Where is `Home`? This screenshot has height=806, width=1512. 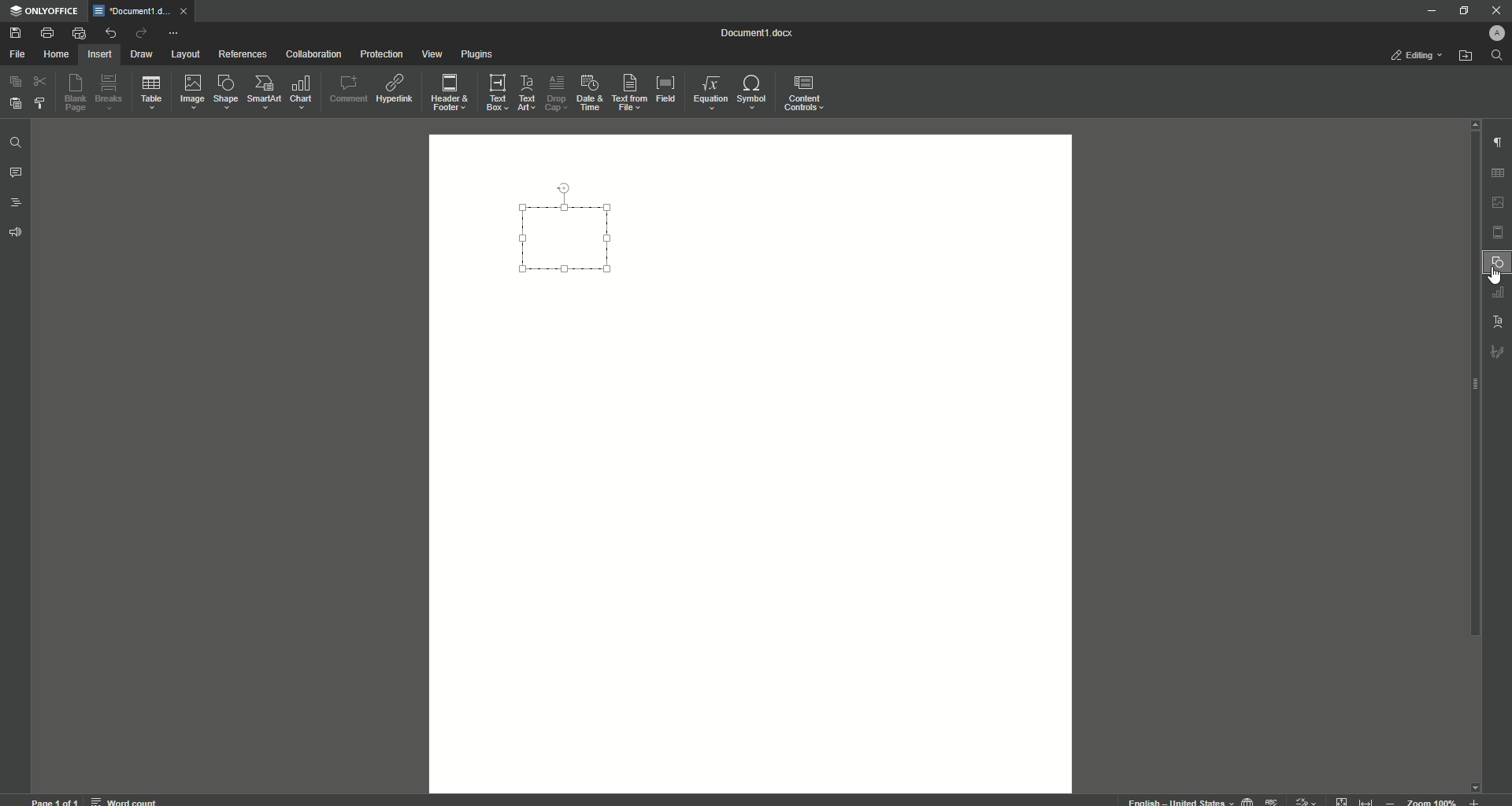
Home is located at coordinates (56, 55).